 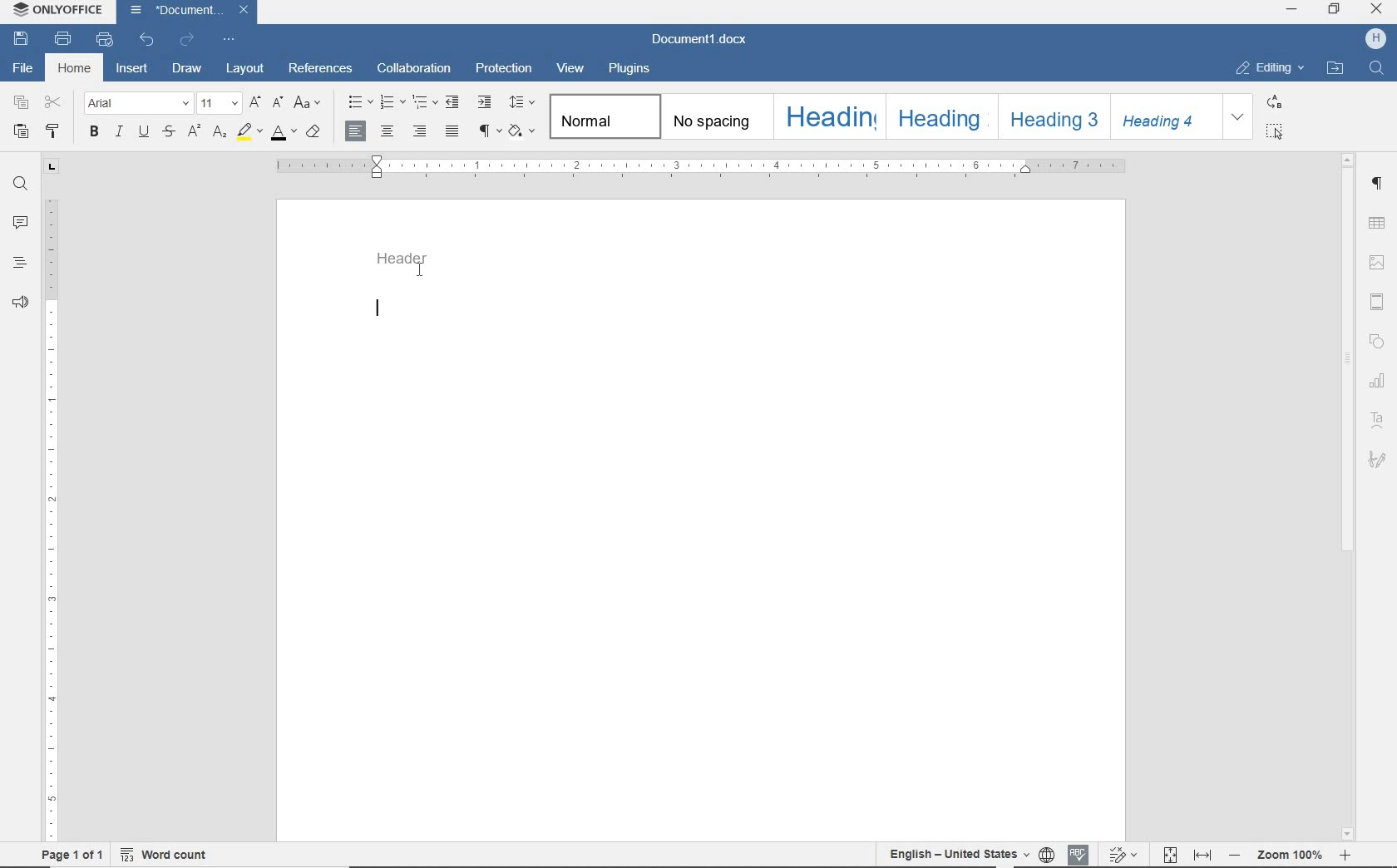 I want to click on zoom out or zoom in, so click(x=1292, y=854).